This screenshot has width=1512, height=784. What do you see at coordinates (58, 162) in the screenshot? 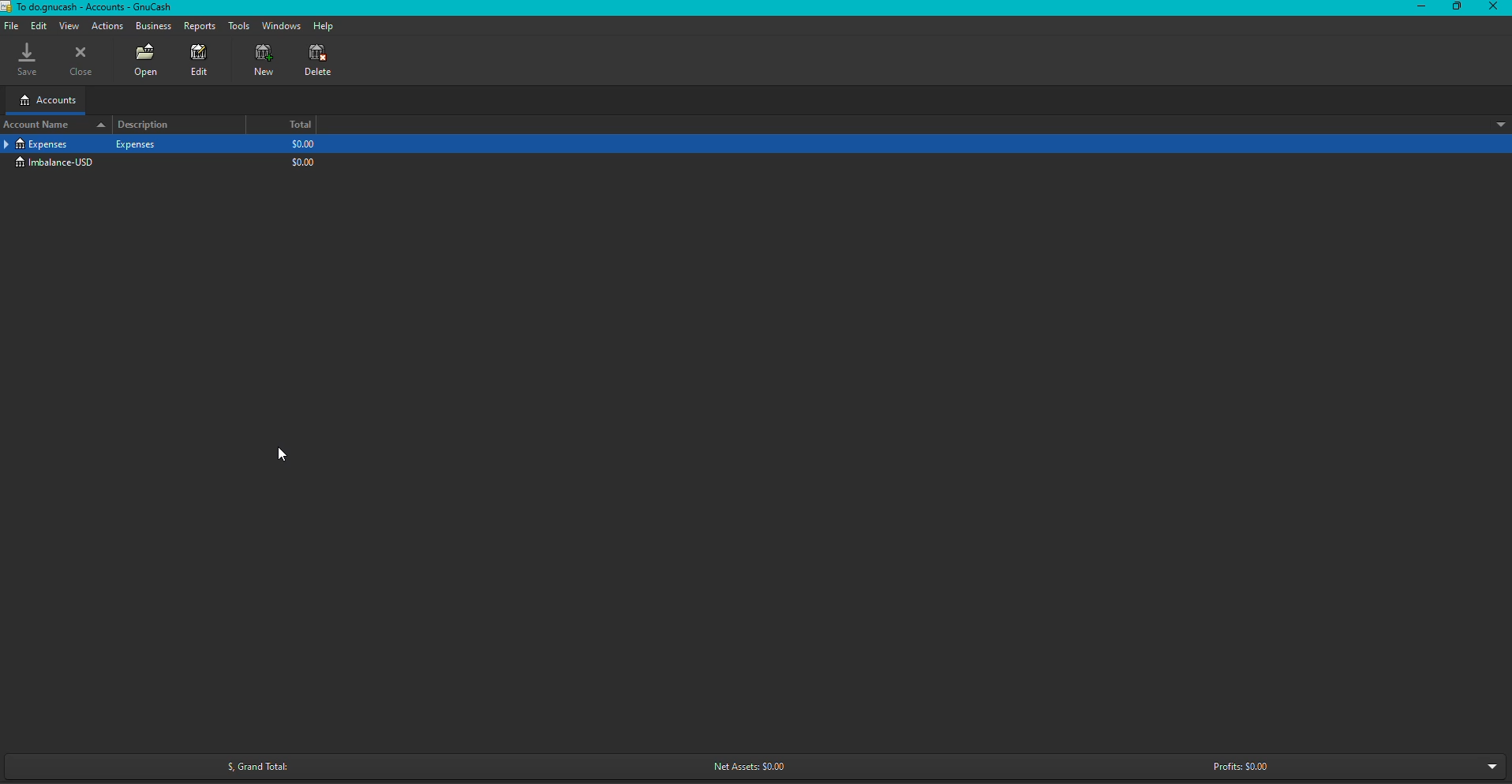
I see `Imbalance` at bounding box center [58, 162].